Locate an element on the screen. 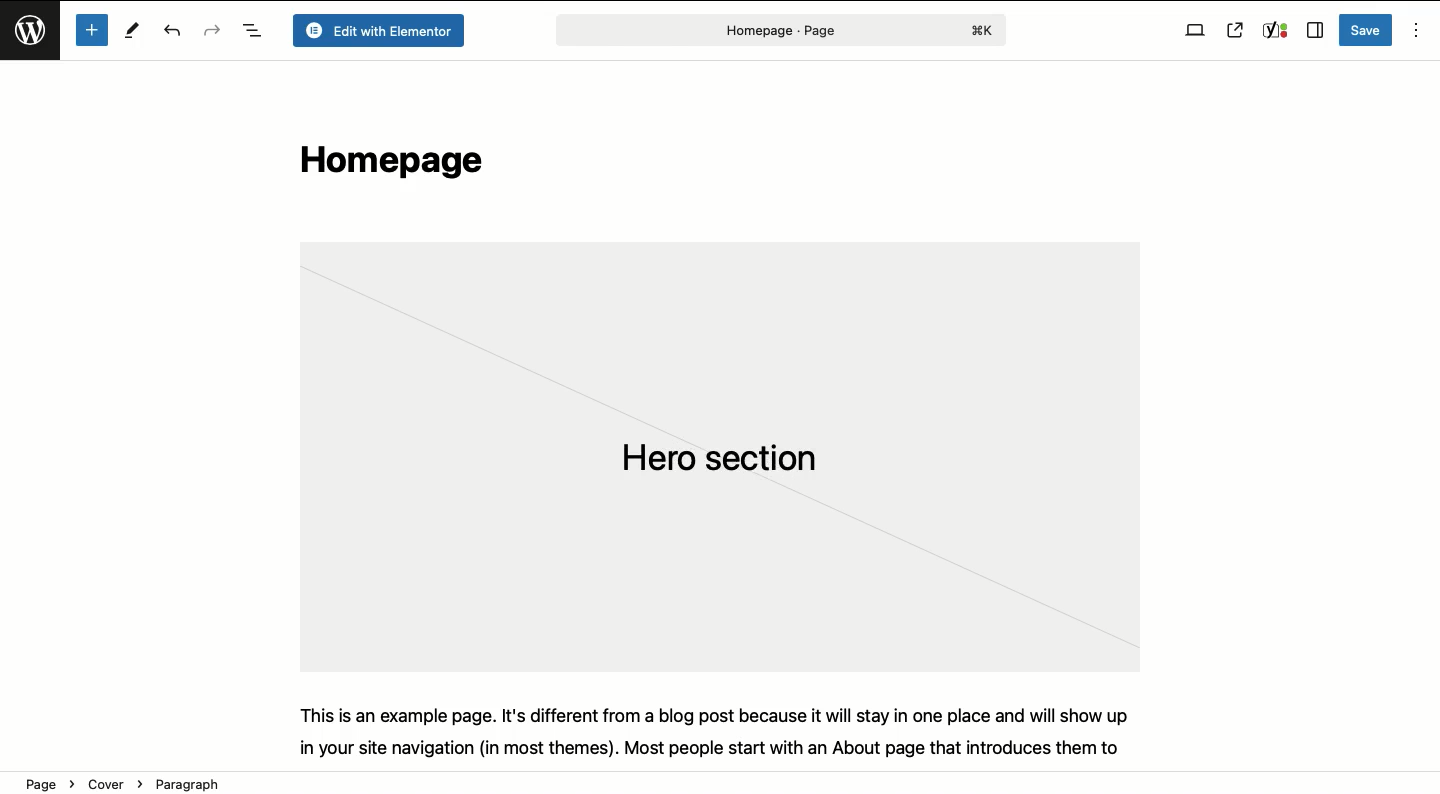 The image size is (1440, 794). Homepage is located at coordinates (386, 165).